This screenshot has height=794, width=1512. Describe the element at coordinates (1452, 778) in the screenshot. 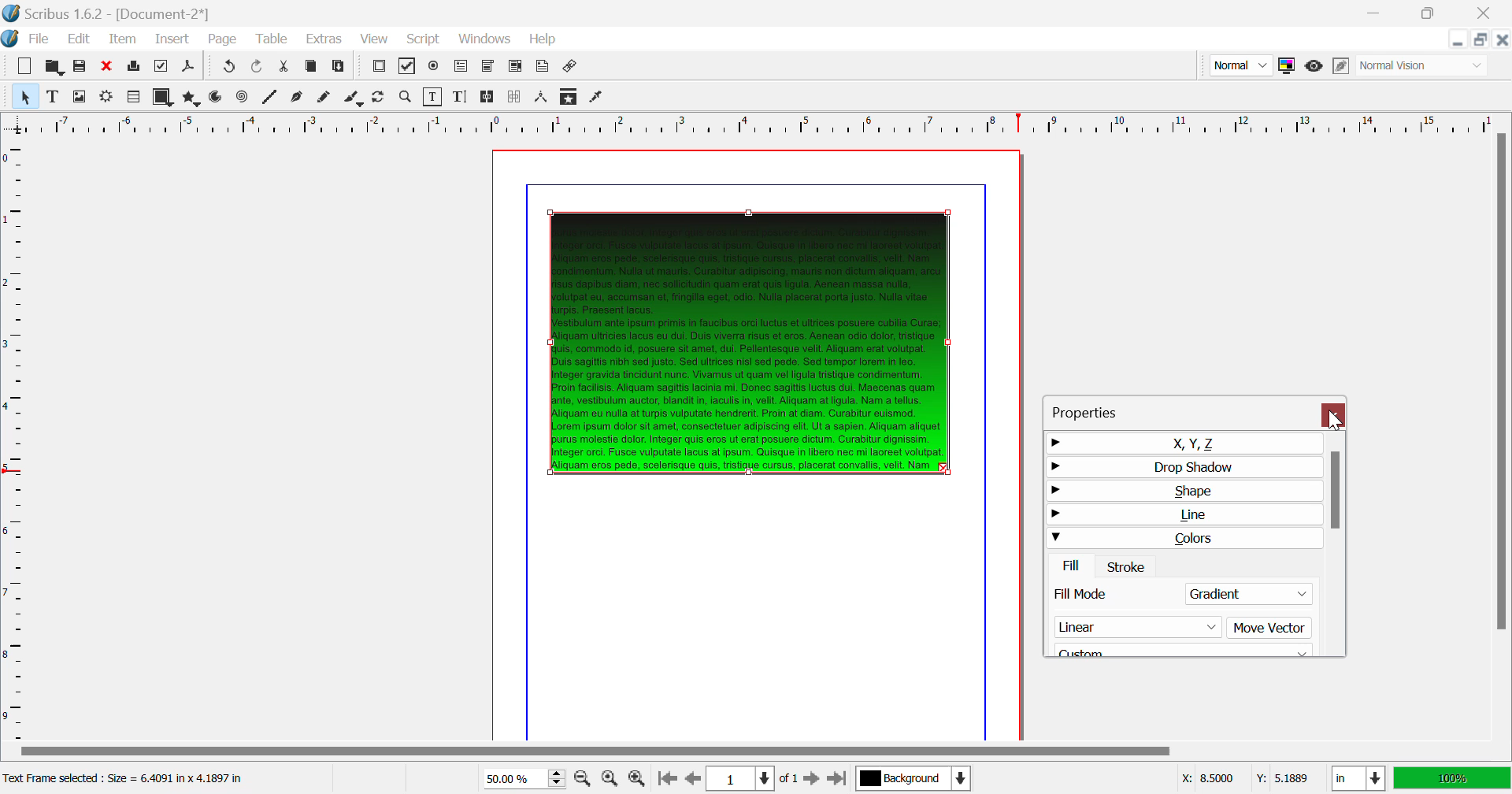

I see `Display Appearance` at that location.